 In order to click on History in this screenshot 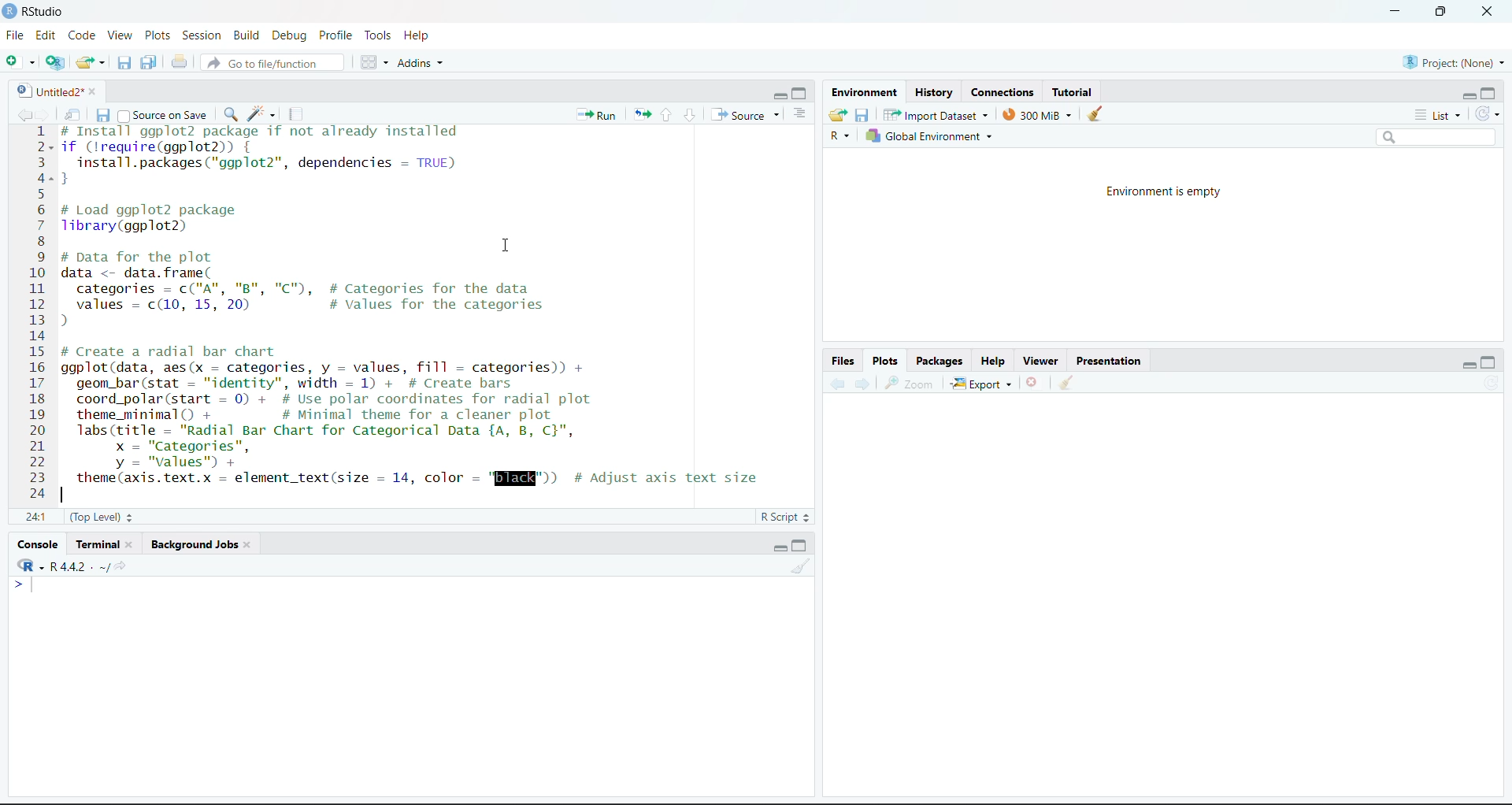, I will do `click(934, 93)`.